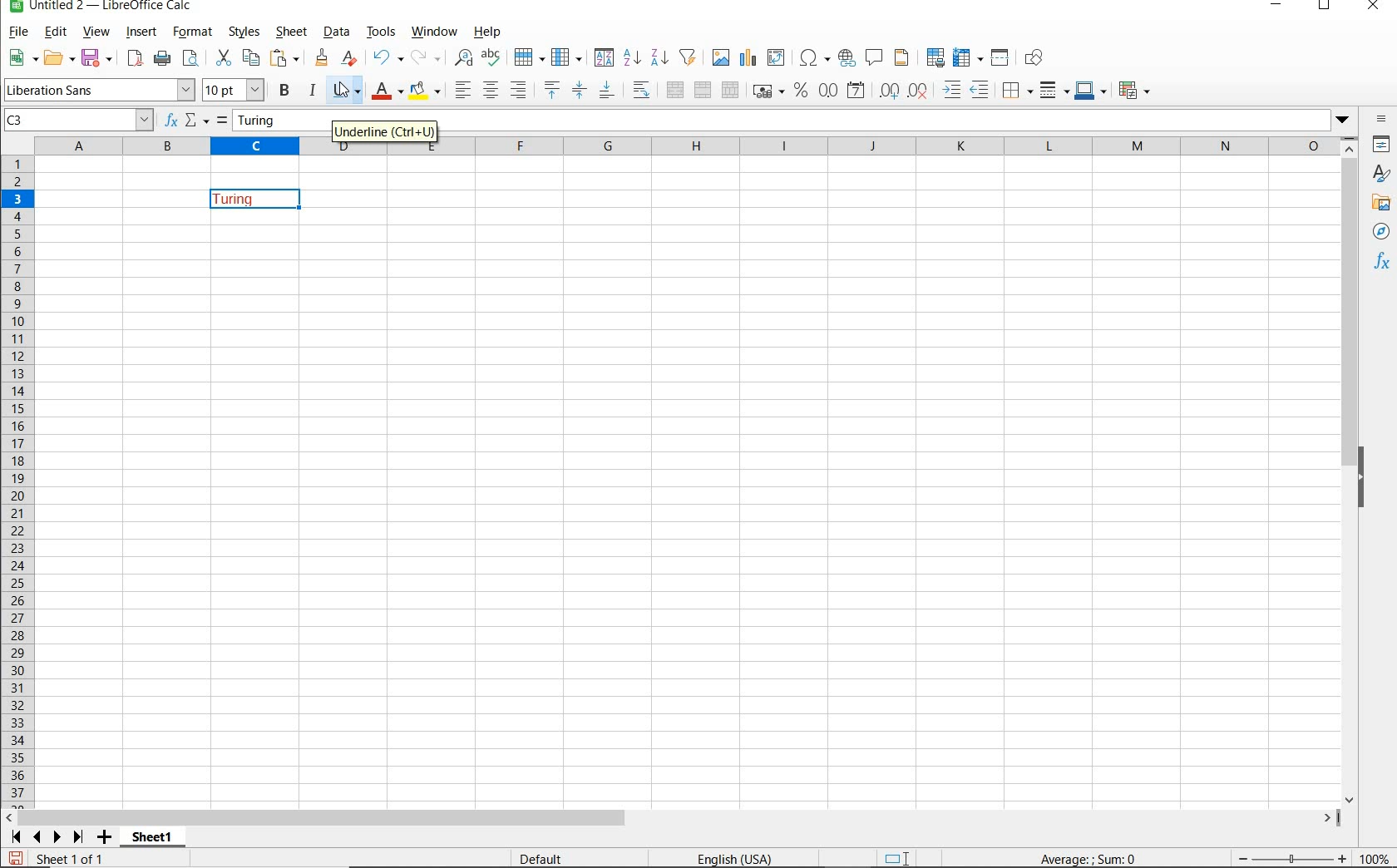 This screenshot has width=1397, height=868. I want to click on INSERT IMAGE, so click(722, 57).